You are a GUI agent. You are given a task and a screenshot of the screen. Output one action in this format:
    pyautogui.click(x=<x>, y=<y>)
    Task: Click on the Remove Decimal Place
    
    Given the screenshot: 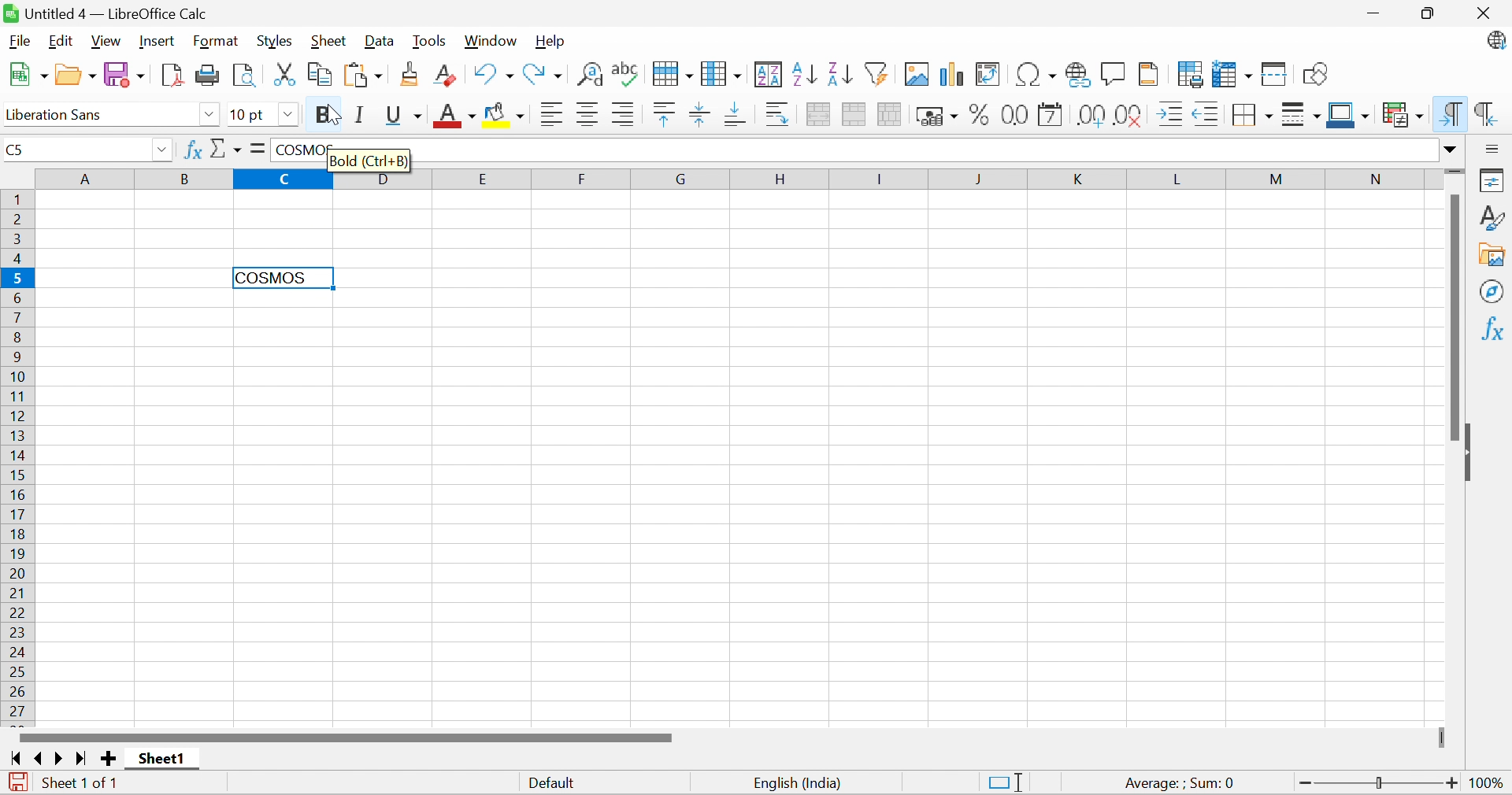 What is the action you would take?
    pyautogui.click(x=1128, y=115)
    